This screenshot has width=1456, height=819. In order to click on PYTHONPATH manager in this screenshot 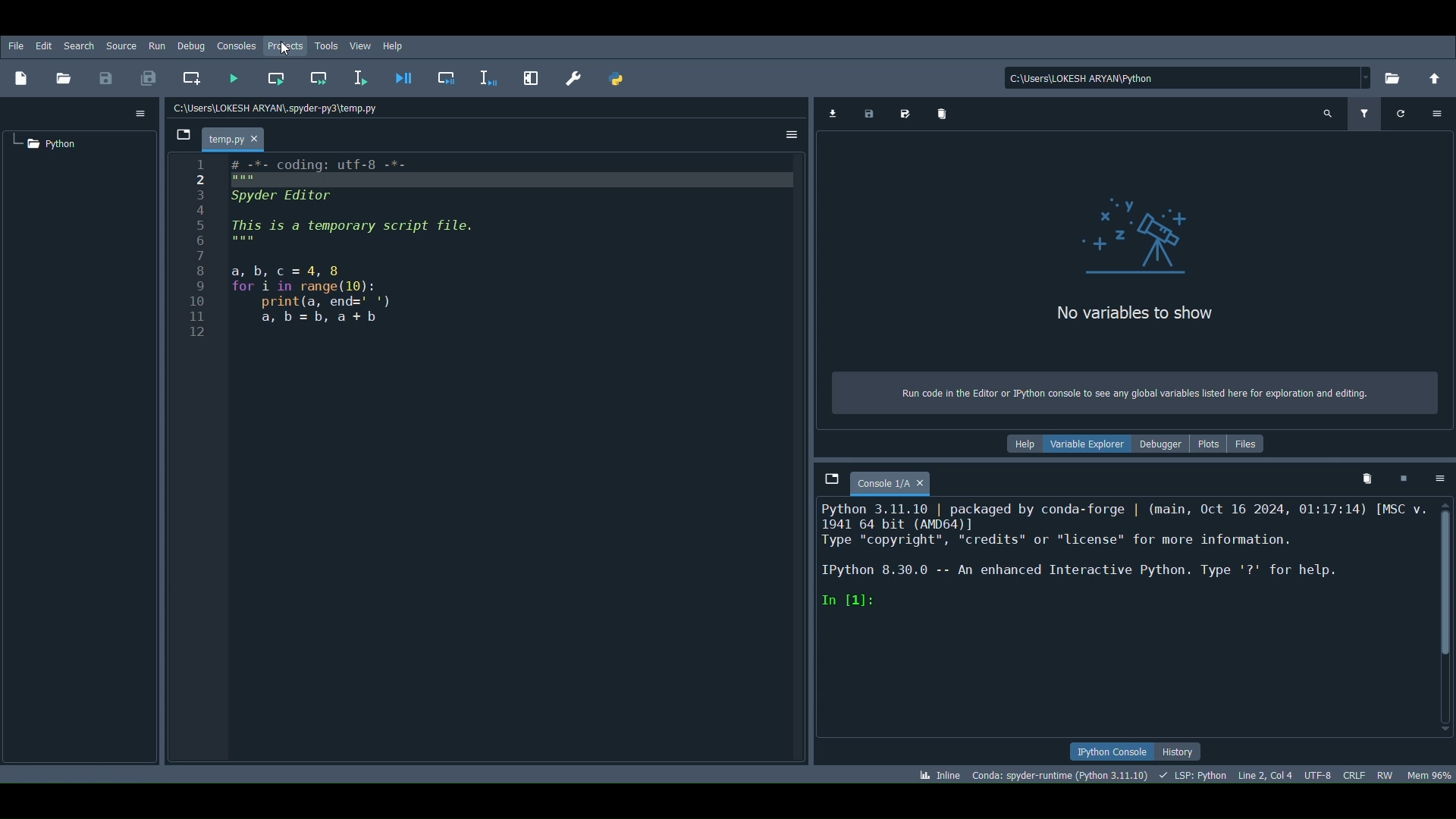, I will do `click(619, 80)`.